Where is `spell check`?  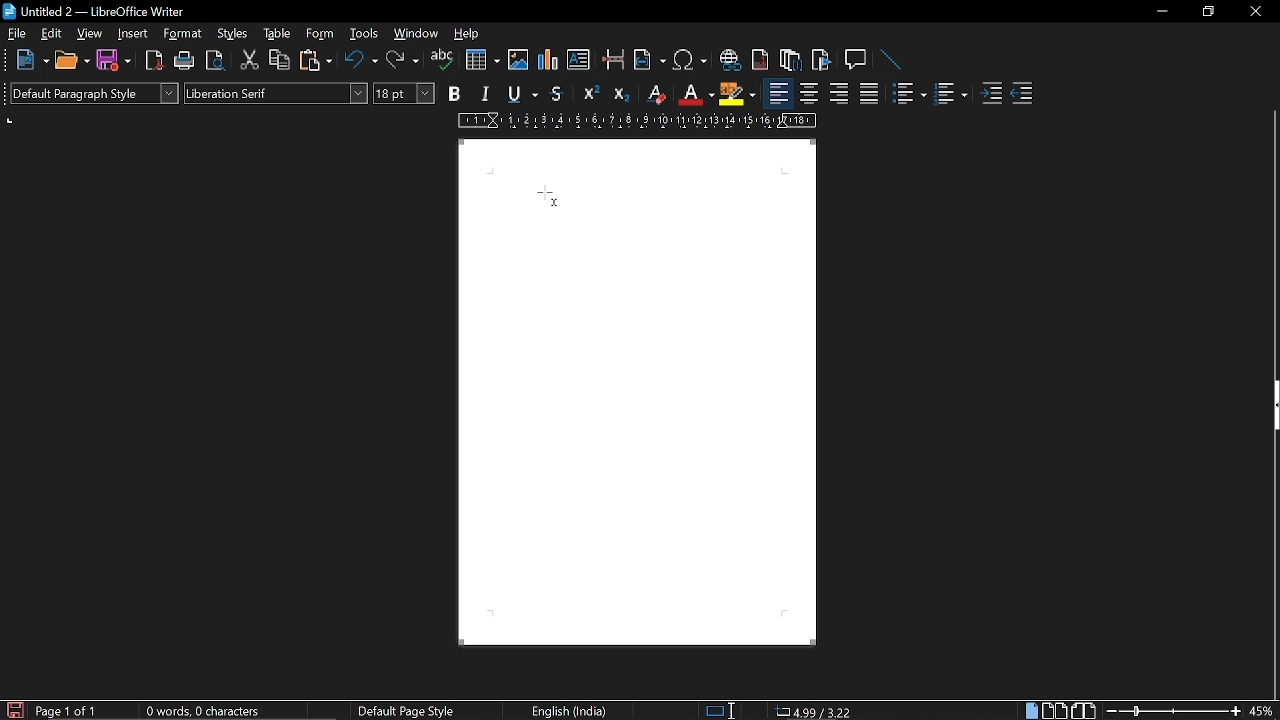 spell check is located at coordinates (441, 62).